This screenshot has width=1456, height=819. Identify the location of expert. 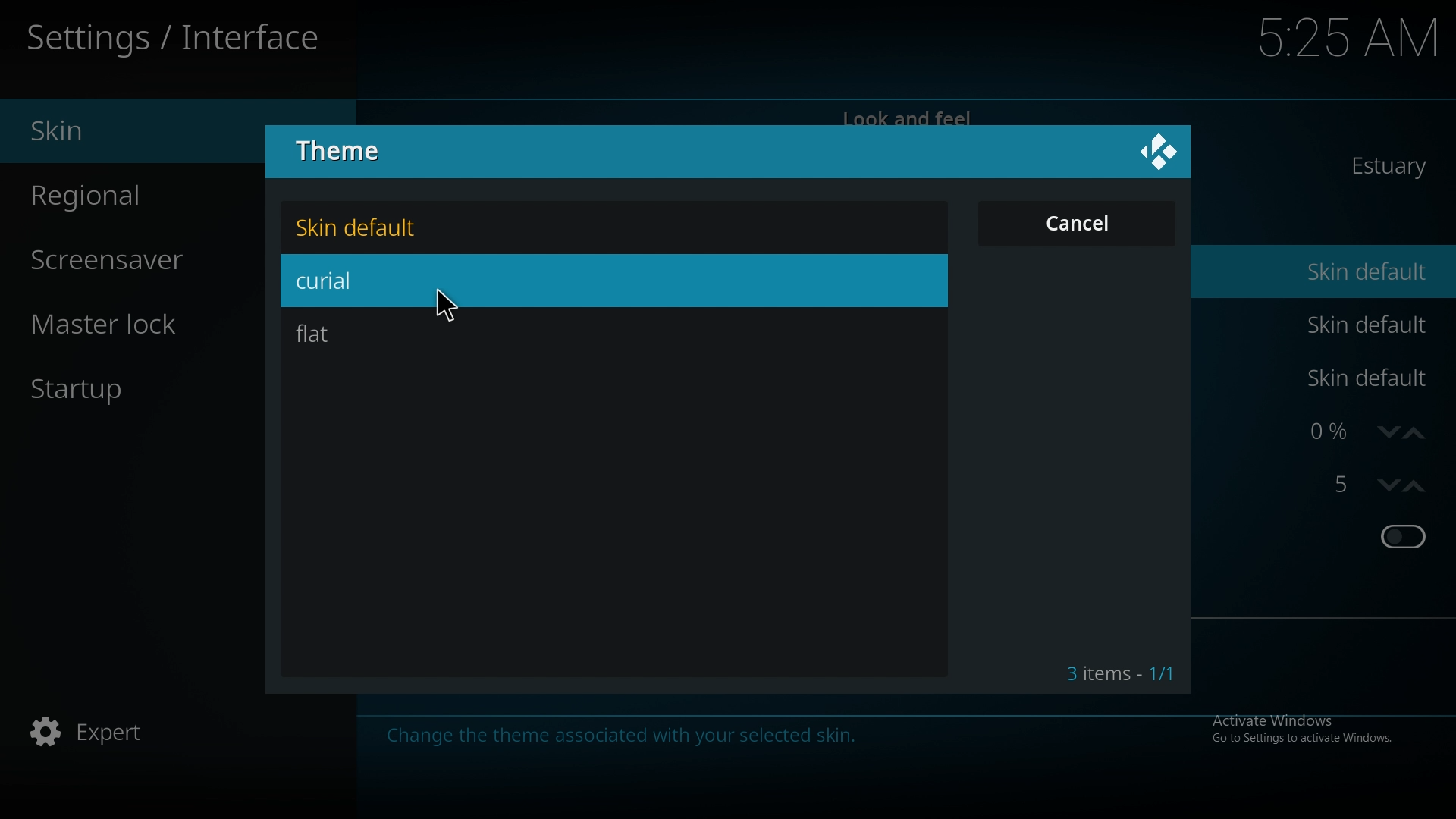
(121, 733).